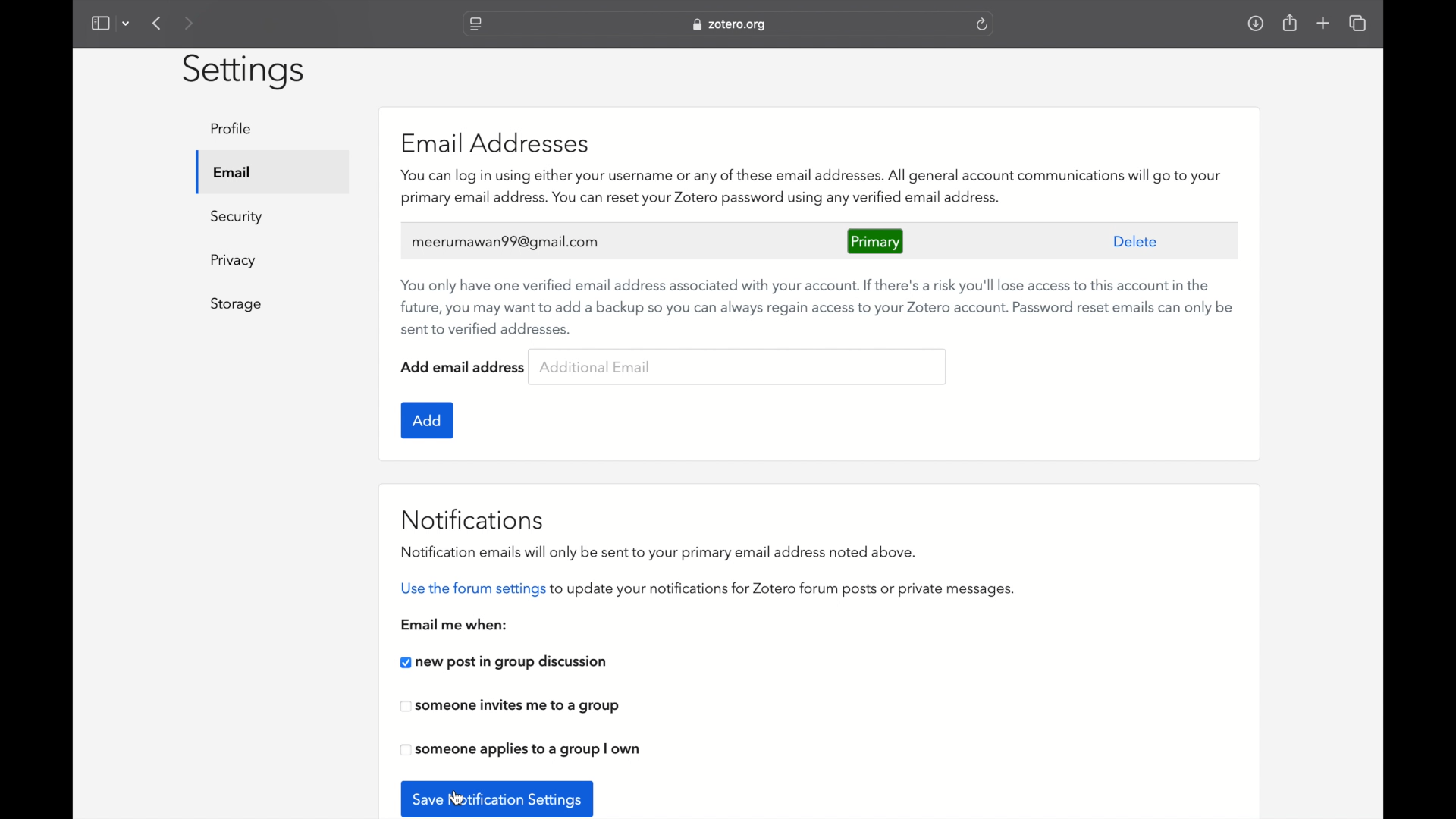  Describe the element at coordinates (658, 551) in the screenshot. I see `notifications emails will only be sent to your primary email address noted above` at that location.